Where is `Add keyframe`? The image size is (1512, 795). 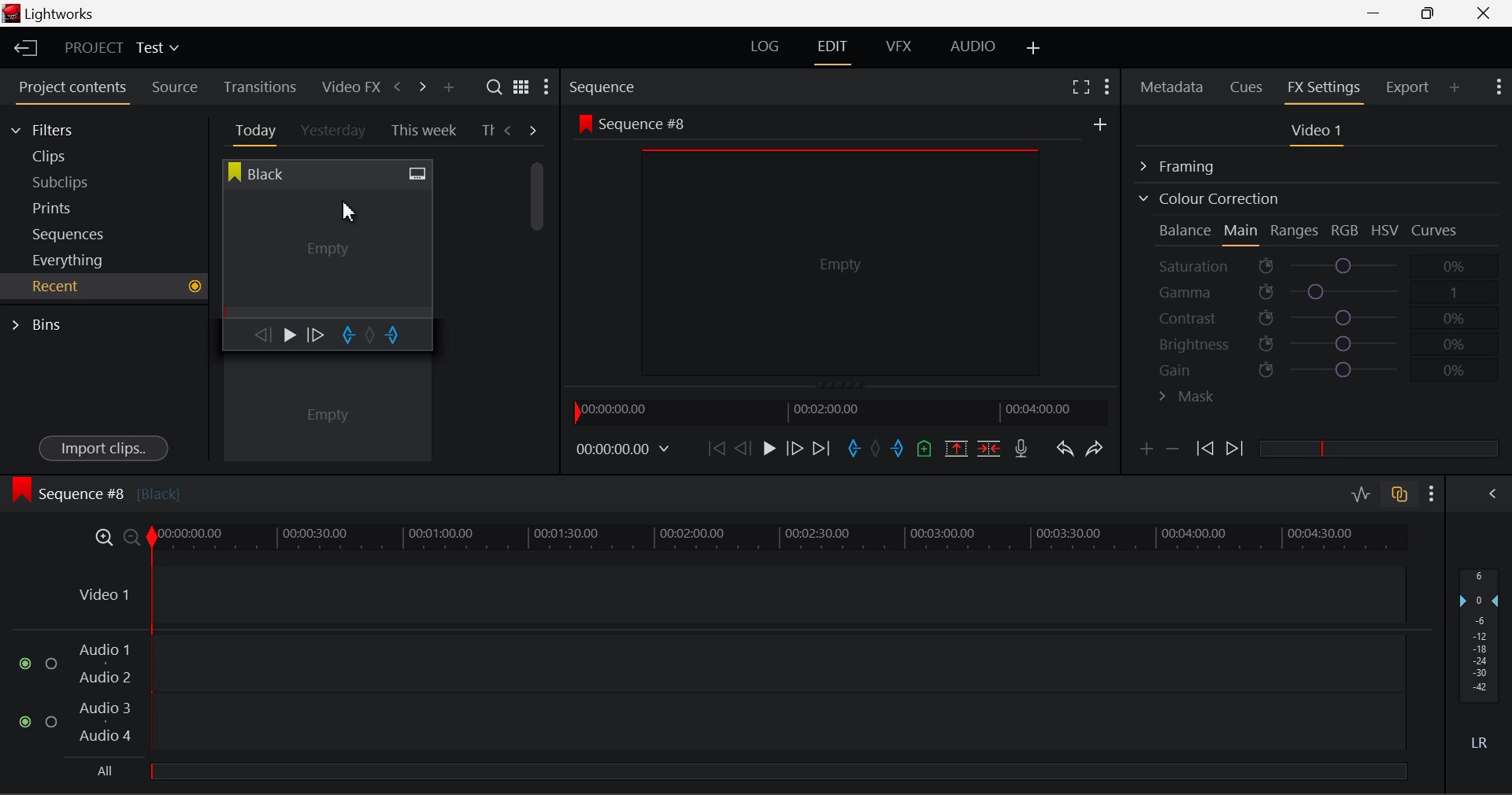 Add keyframe is located at coordinates (1143, 452).